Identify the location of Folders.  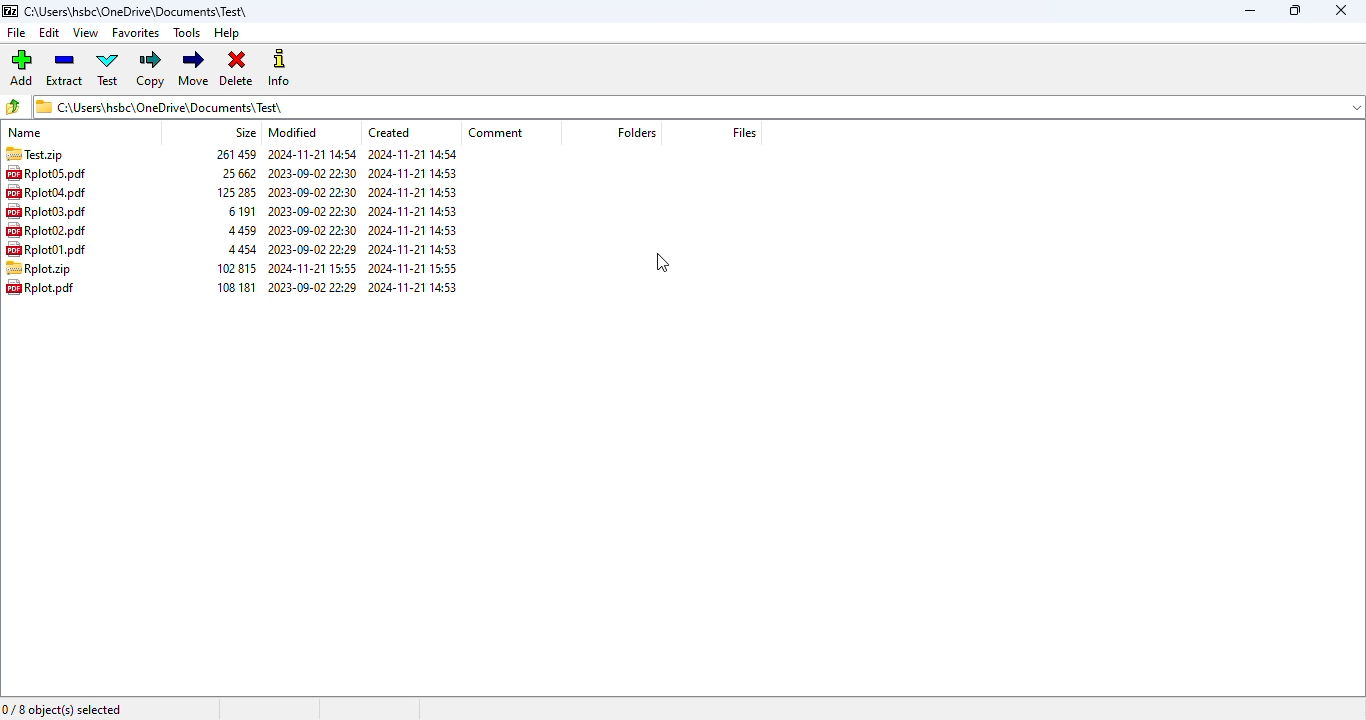
(639, 131).